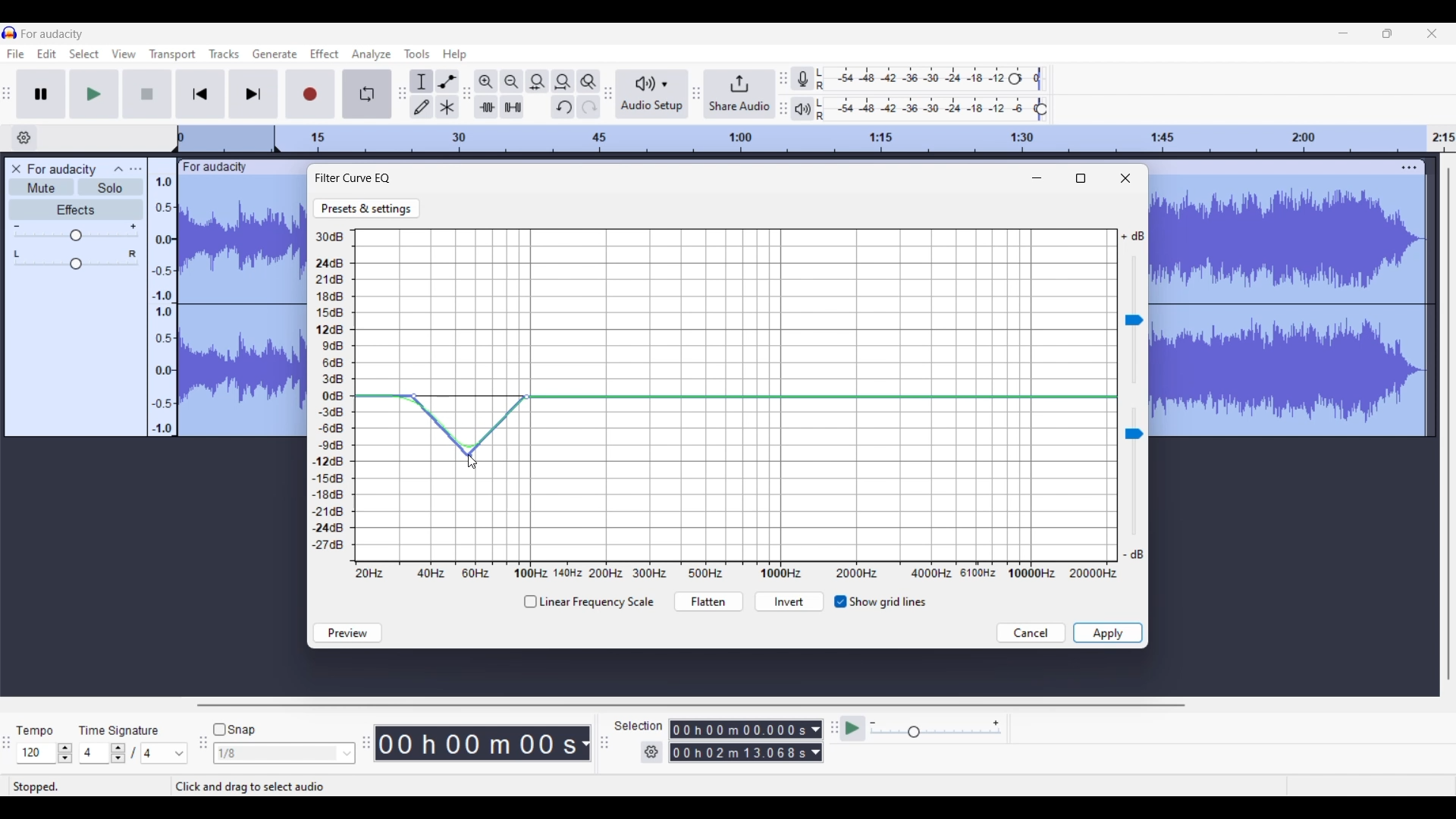 The width and height of the screenshot is (1456, 819). What do you see at coordinates (133, 254) in the screenshot?
I see `Pan right` at bounding box center [133, 254].